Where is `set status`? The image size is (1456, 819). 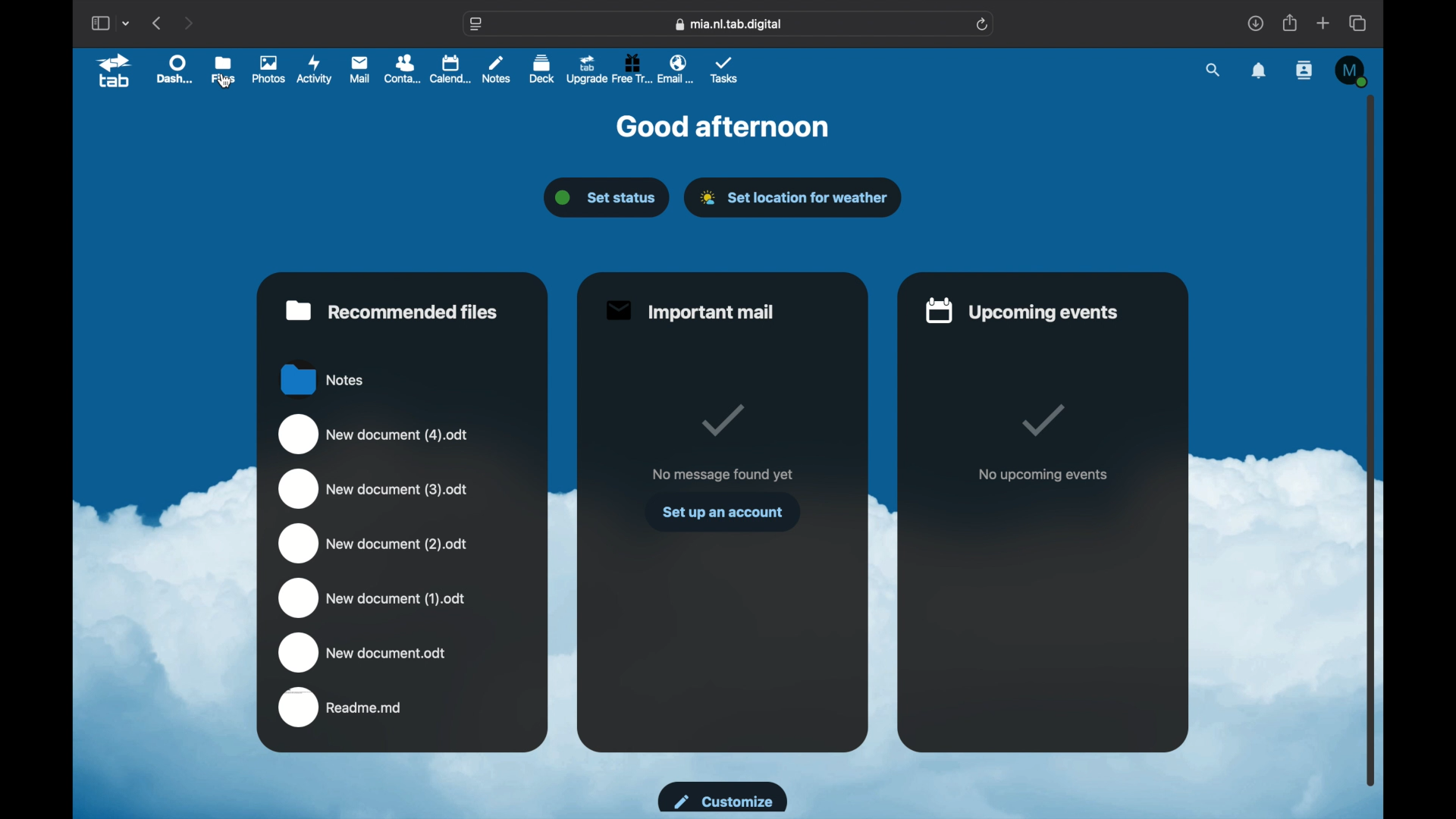 set status is located at coordinates (606, 197).